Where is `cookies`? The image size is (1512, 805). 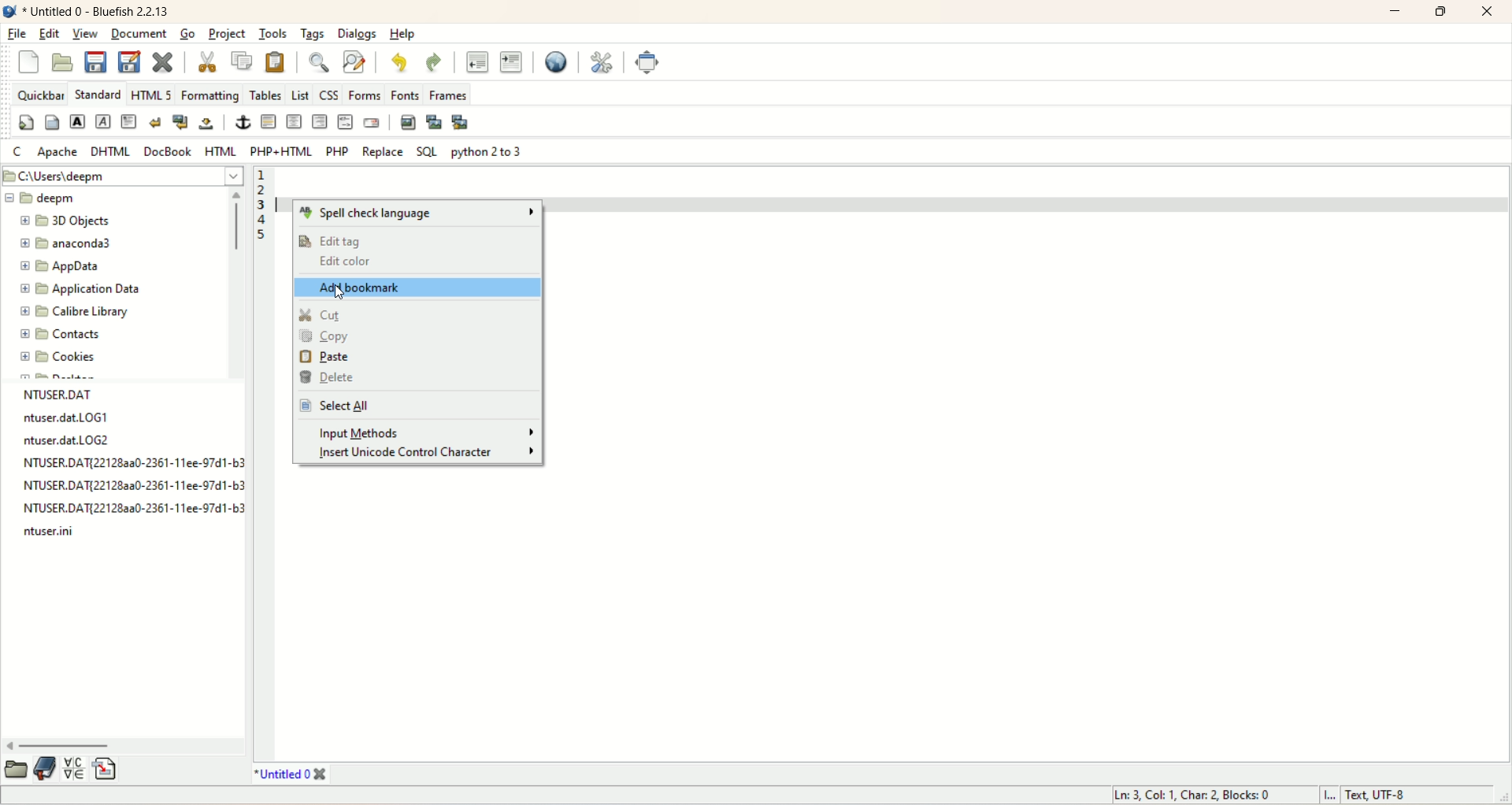 cookies is located at coordinates (57, 355).